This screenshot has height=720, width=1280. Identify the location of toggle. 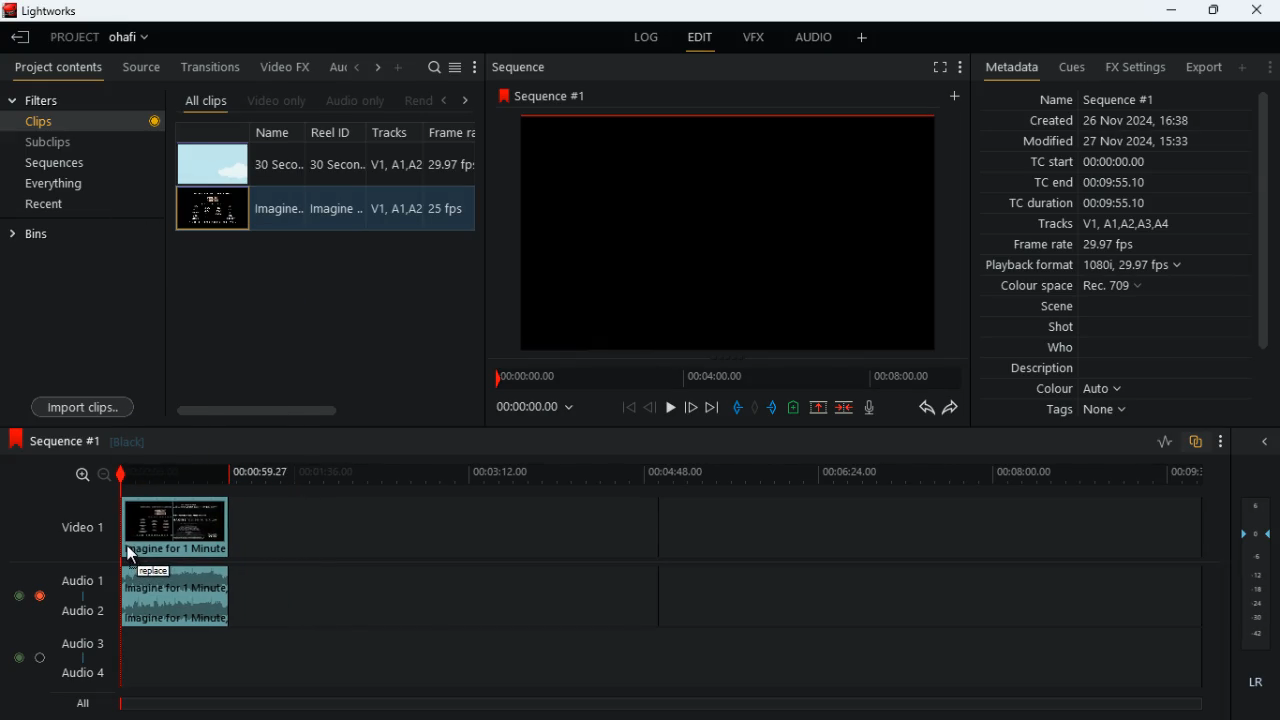
(39, 657).